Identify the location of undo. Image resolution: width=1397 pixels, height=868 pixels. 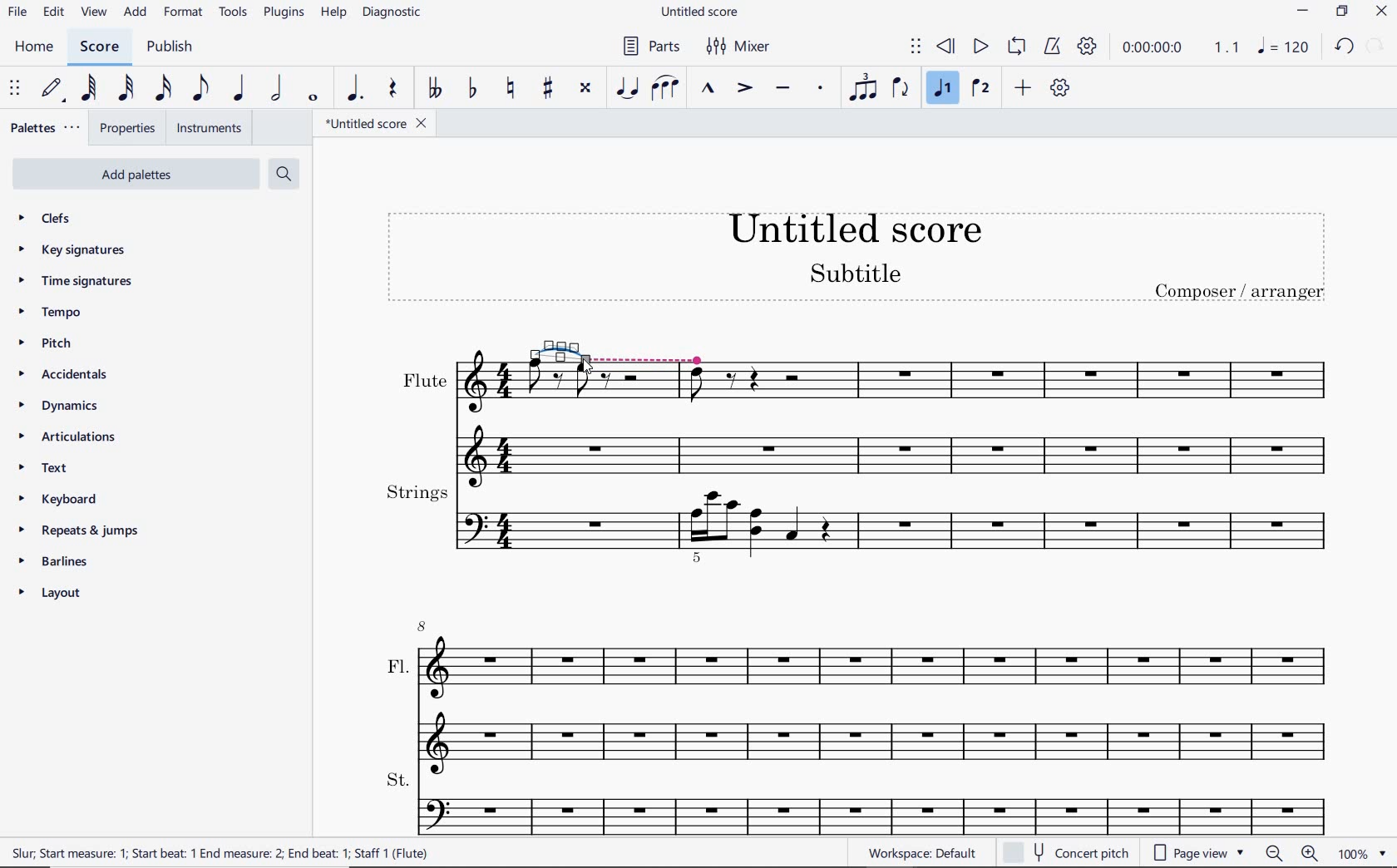
(1344, 49).